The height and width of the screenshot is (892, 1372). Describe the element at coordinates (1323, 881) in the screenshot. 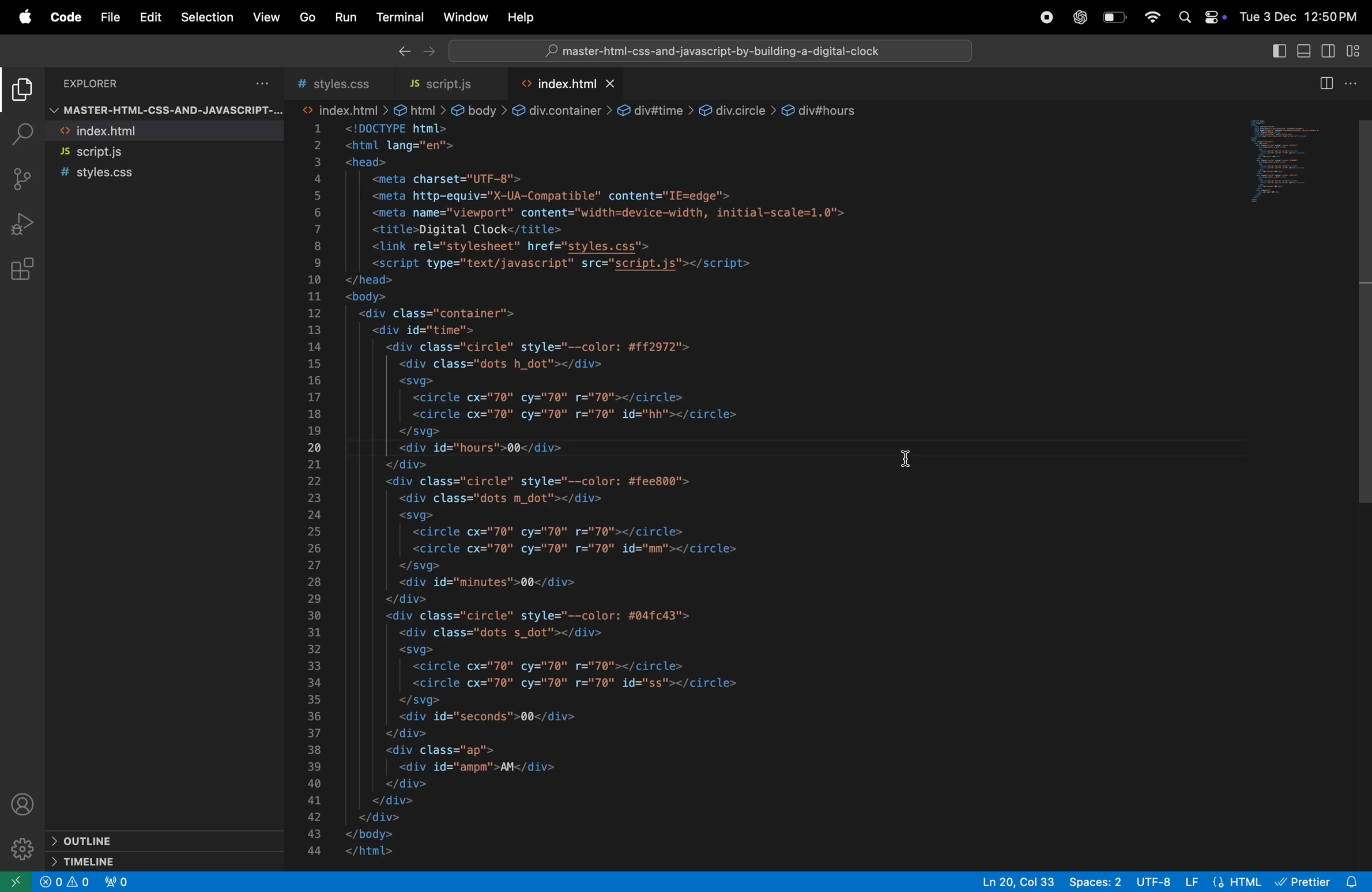

I see `alert prettier insatlled` at that location.